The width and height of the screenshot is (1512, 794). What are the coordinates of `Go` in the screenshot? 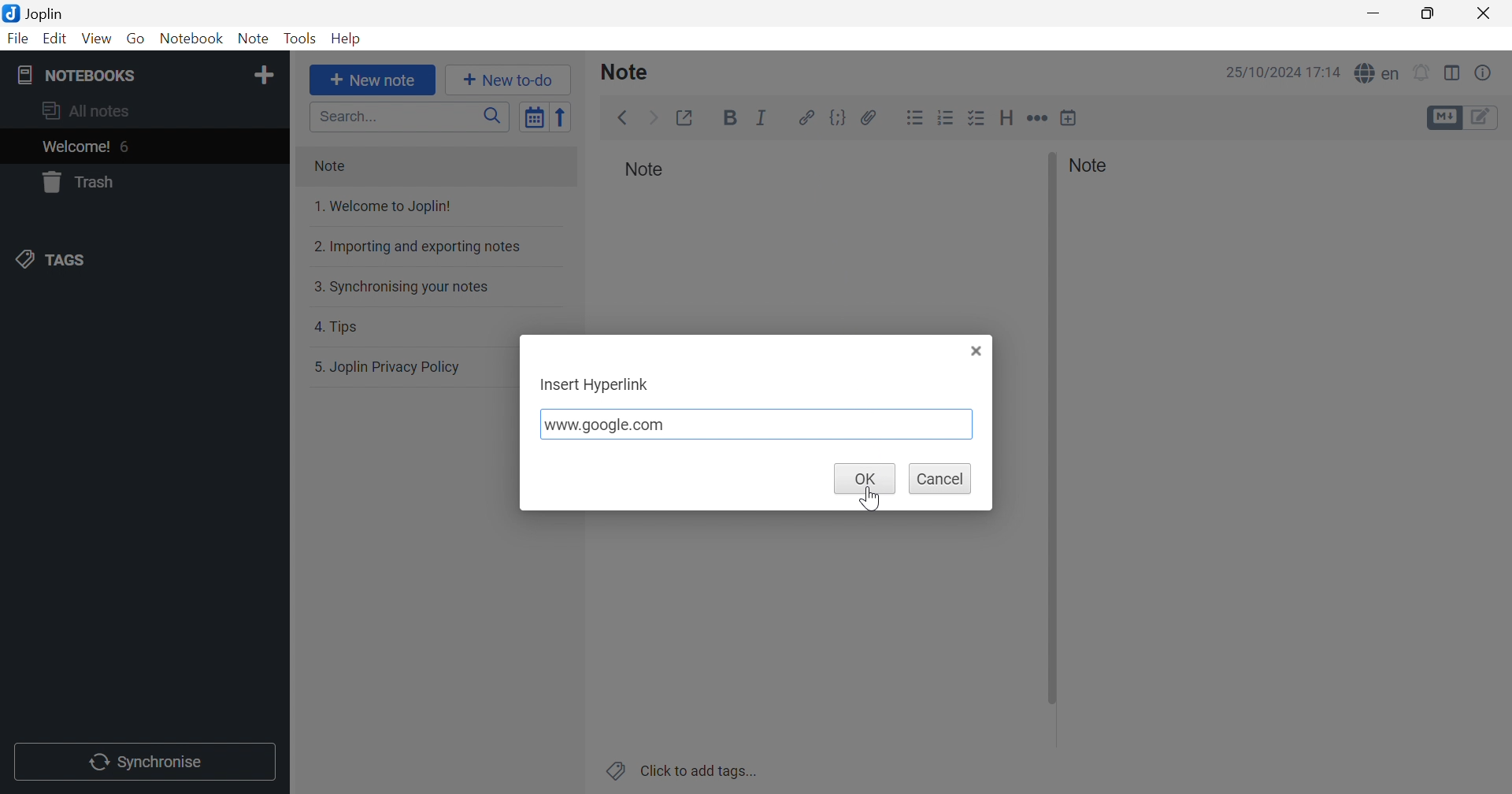 It's located at (138, 39).